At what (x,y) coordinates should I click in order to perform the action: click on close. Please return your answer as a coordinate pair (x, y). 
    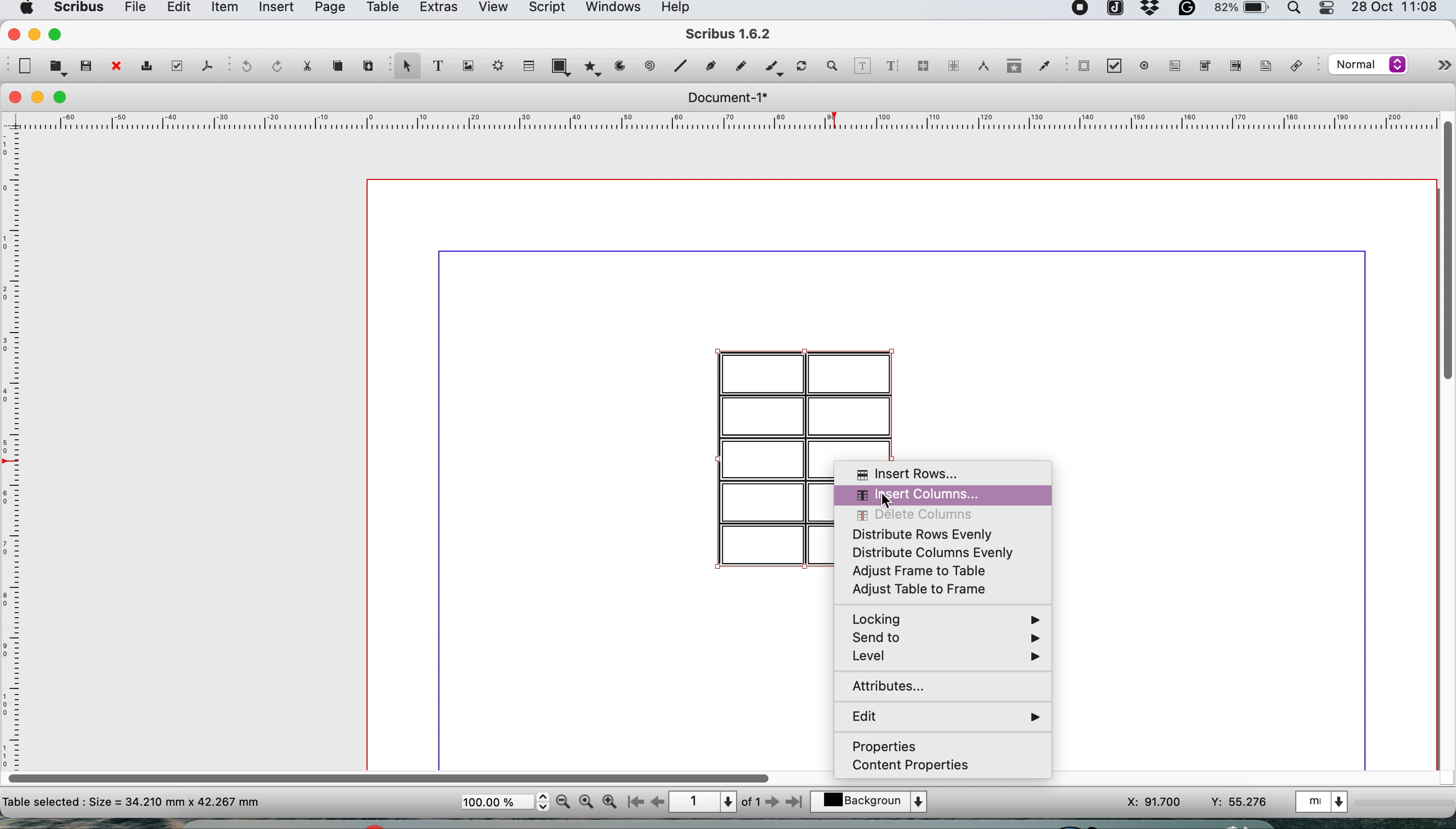
    Looking at the image, I should click on (13, 97).